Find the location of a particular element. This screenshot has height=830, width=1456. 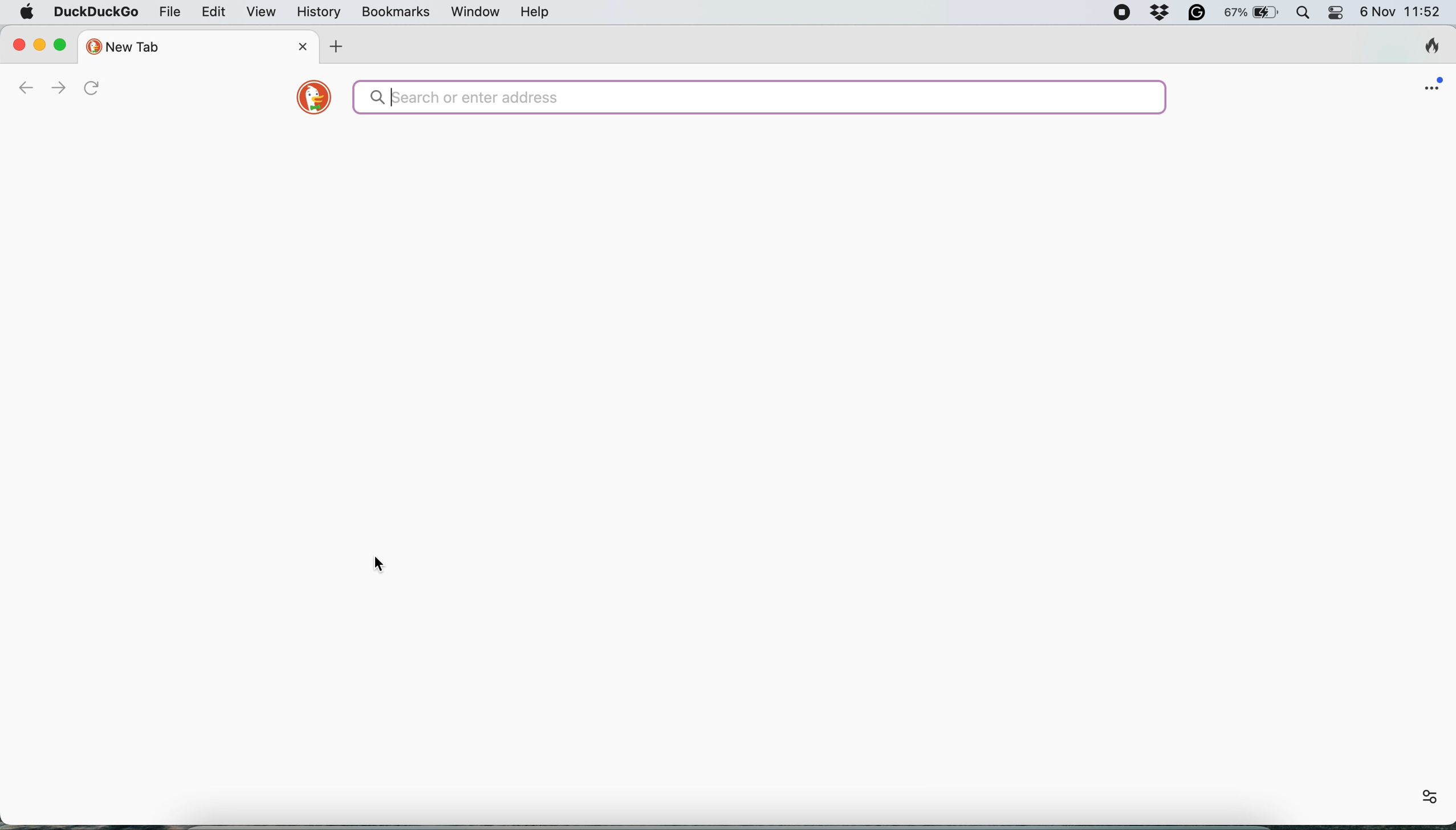

cursor is located at coordinates (386, 564).